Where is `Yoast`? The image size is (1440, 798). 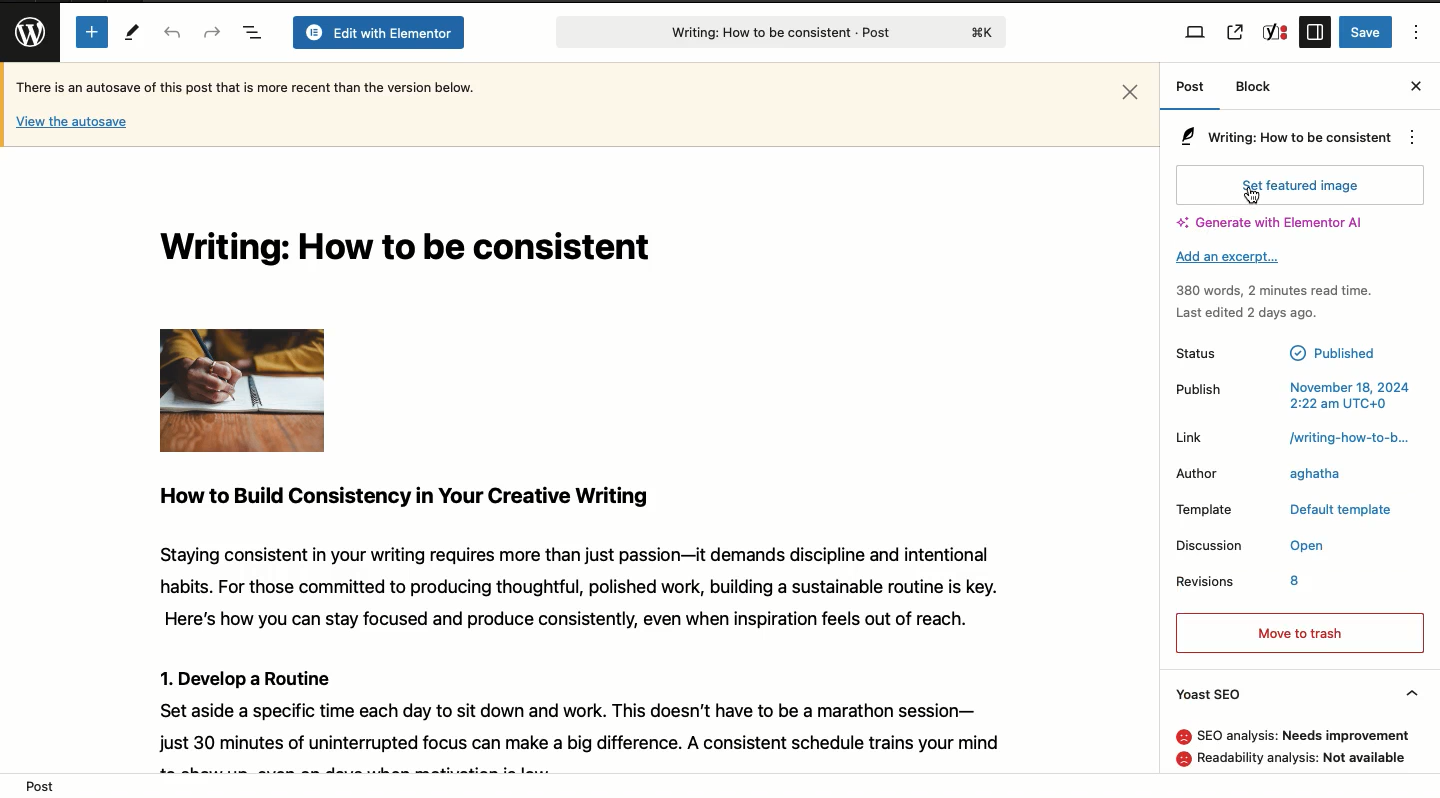 Yoast is located at coordinates (1276, 32).